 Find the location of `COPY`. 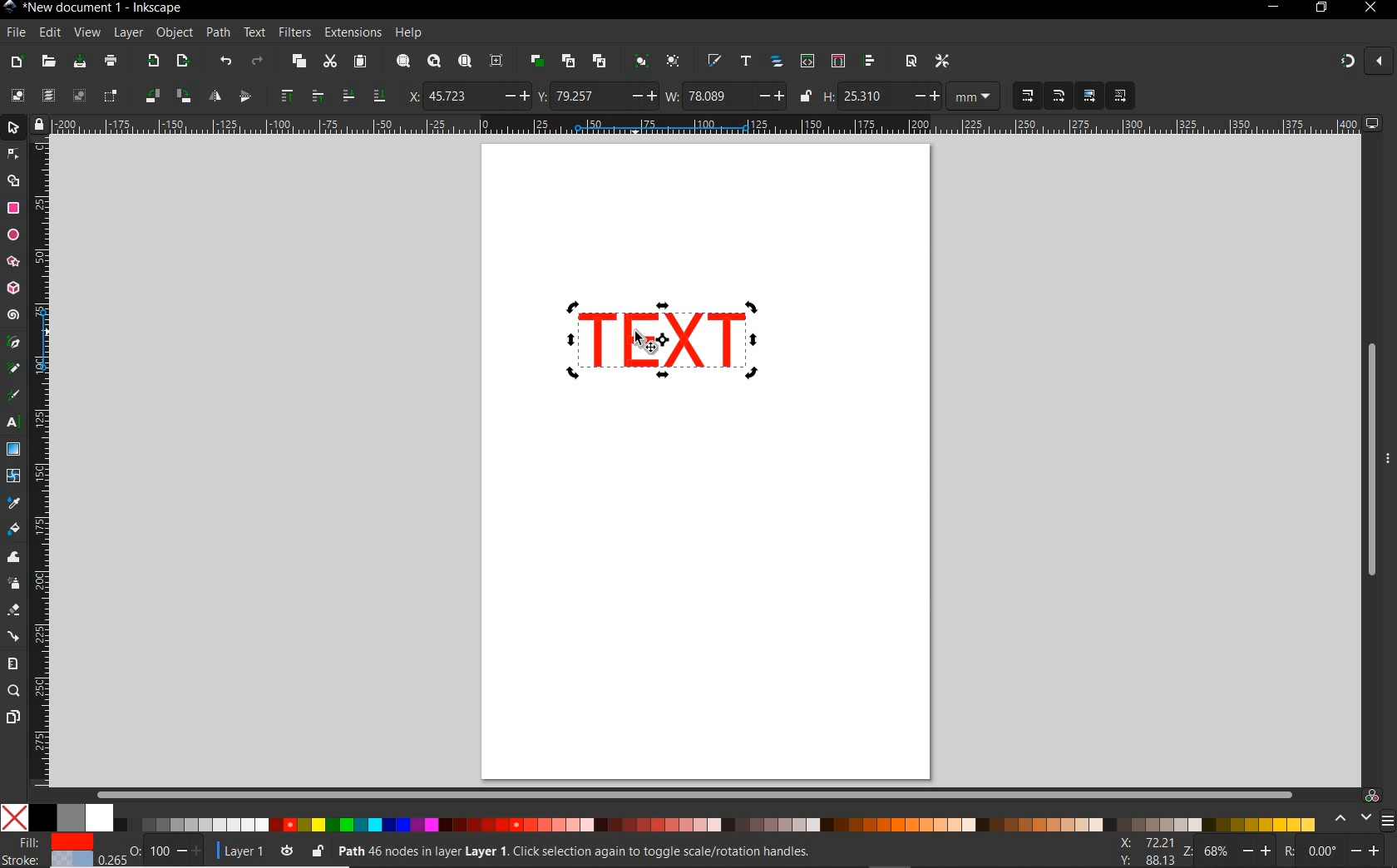

COPY is located at coordinates (299, 62).